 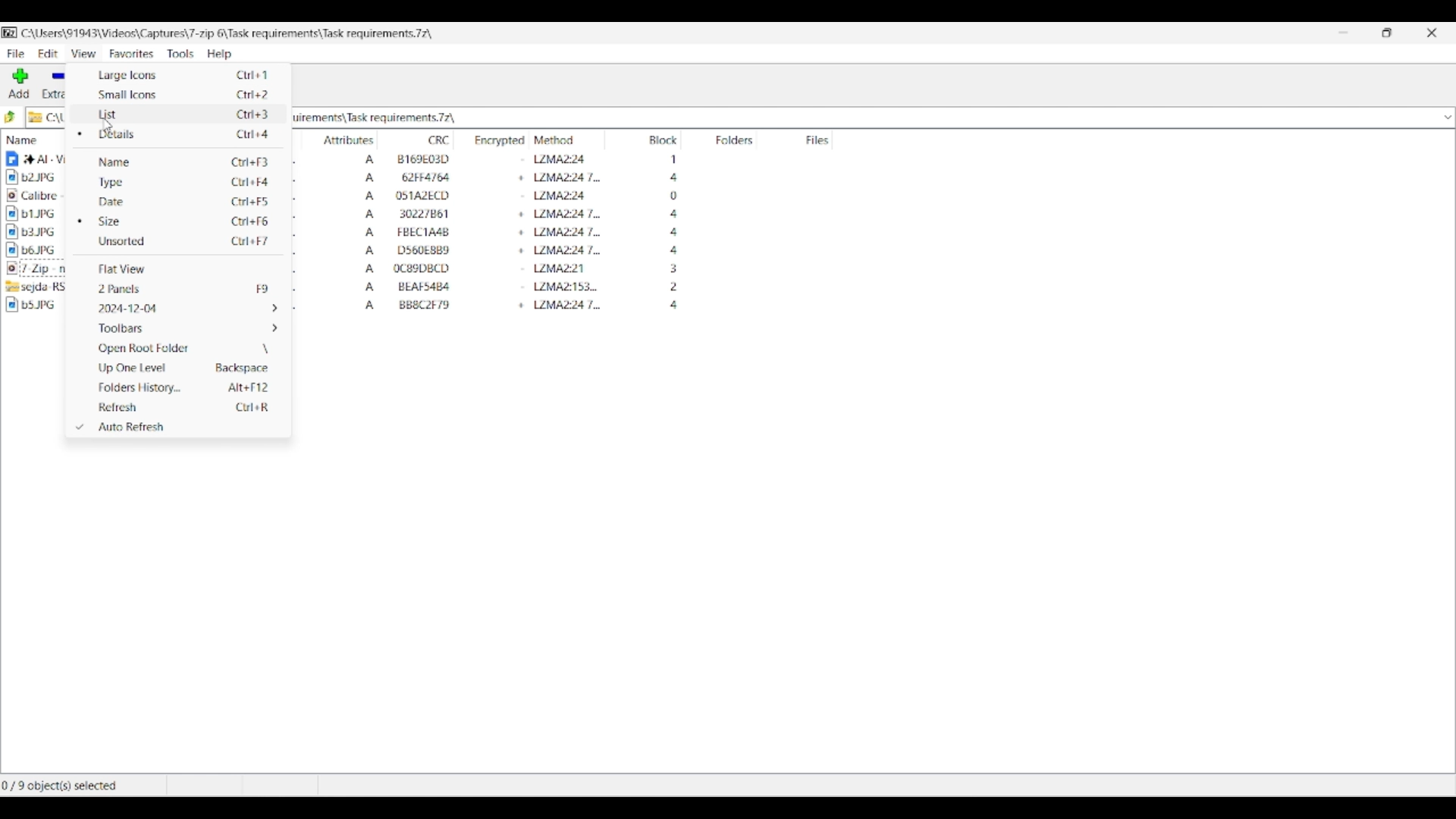 I want to click on Favorites menu, so click(x=132, y=54).